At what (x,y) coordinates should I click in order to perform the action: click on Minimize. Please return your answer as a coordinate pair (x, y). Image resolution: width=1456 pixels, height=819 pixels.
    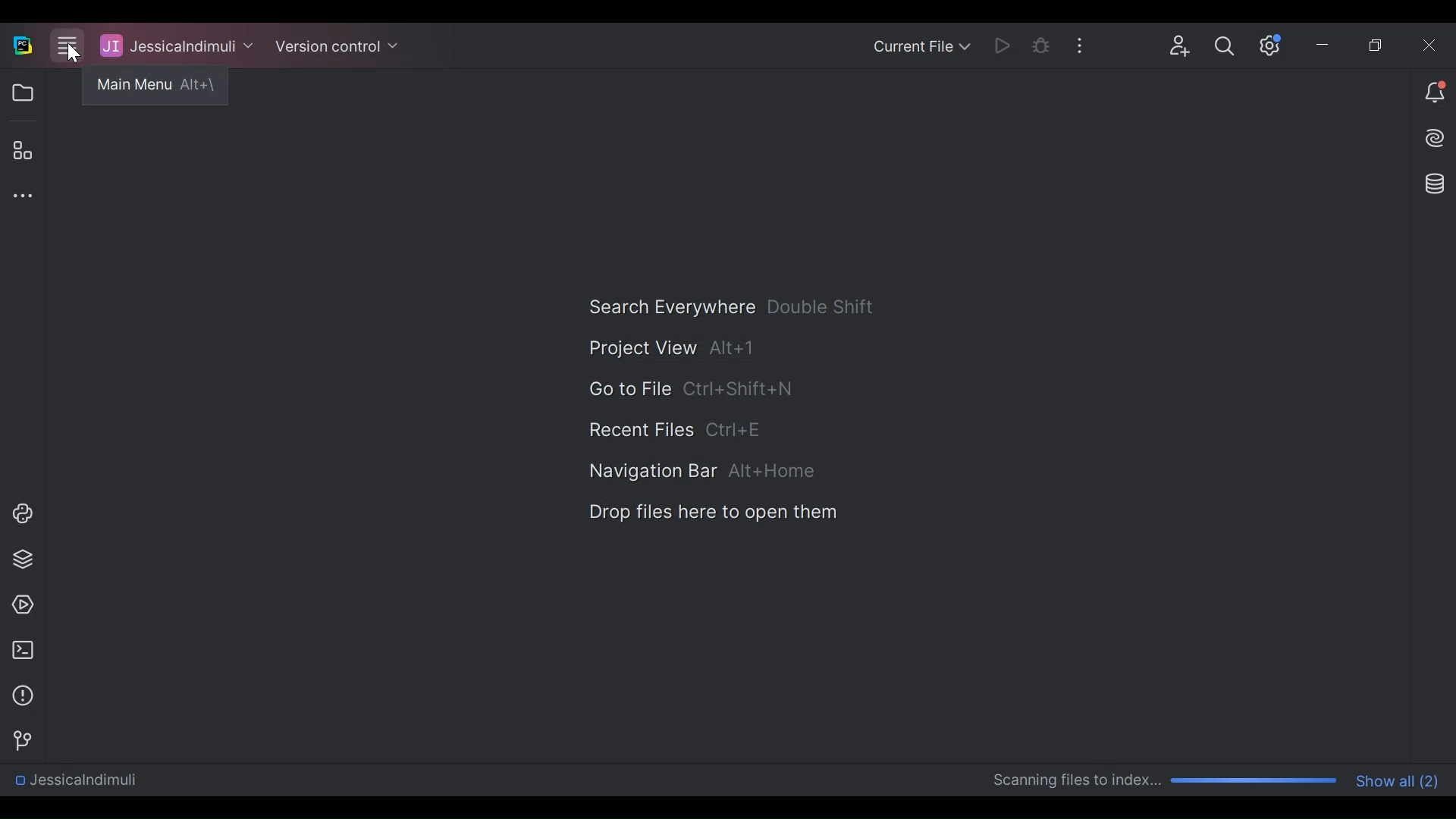
    Looking at the image, I should click on (1321, 43).